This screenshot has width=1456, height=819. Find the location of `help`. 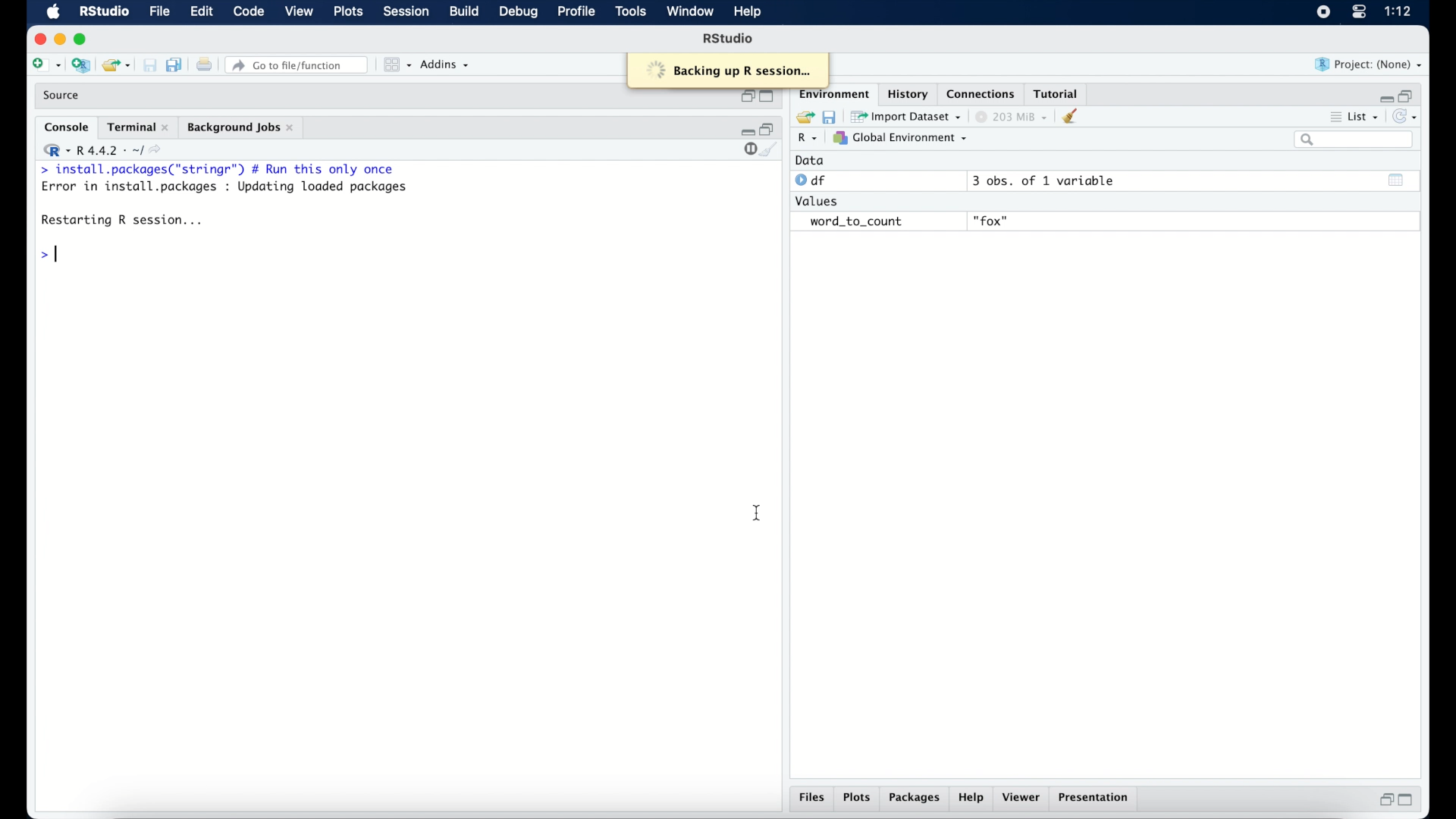

help is located at coordinates (973, 799).